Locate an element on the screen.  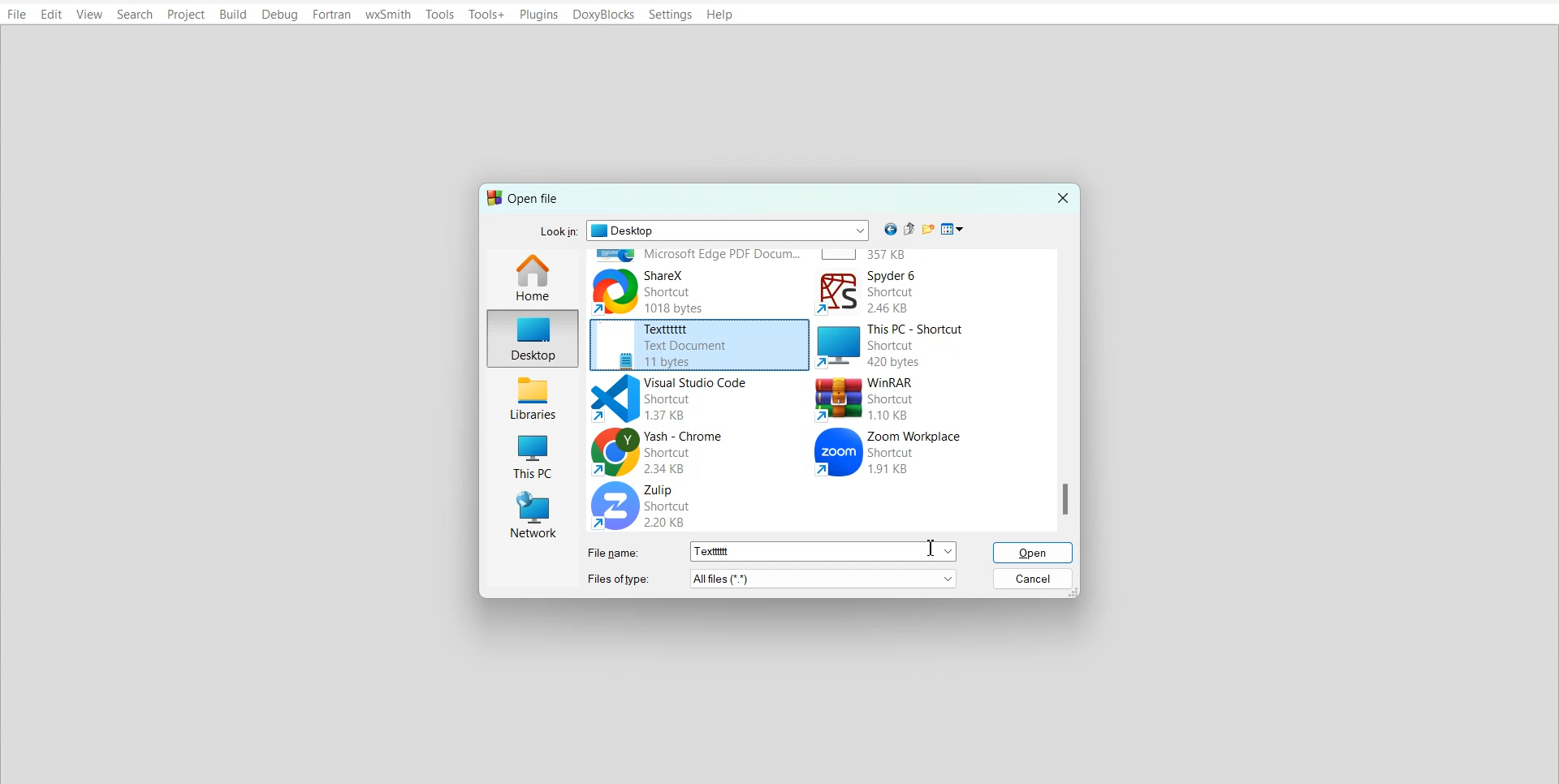
File is located at coordinates (697, 344).